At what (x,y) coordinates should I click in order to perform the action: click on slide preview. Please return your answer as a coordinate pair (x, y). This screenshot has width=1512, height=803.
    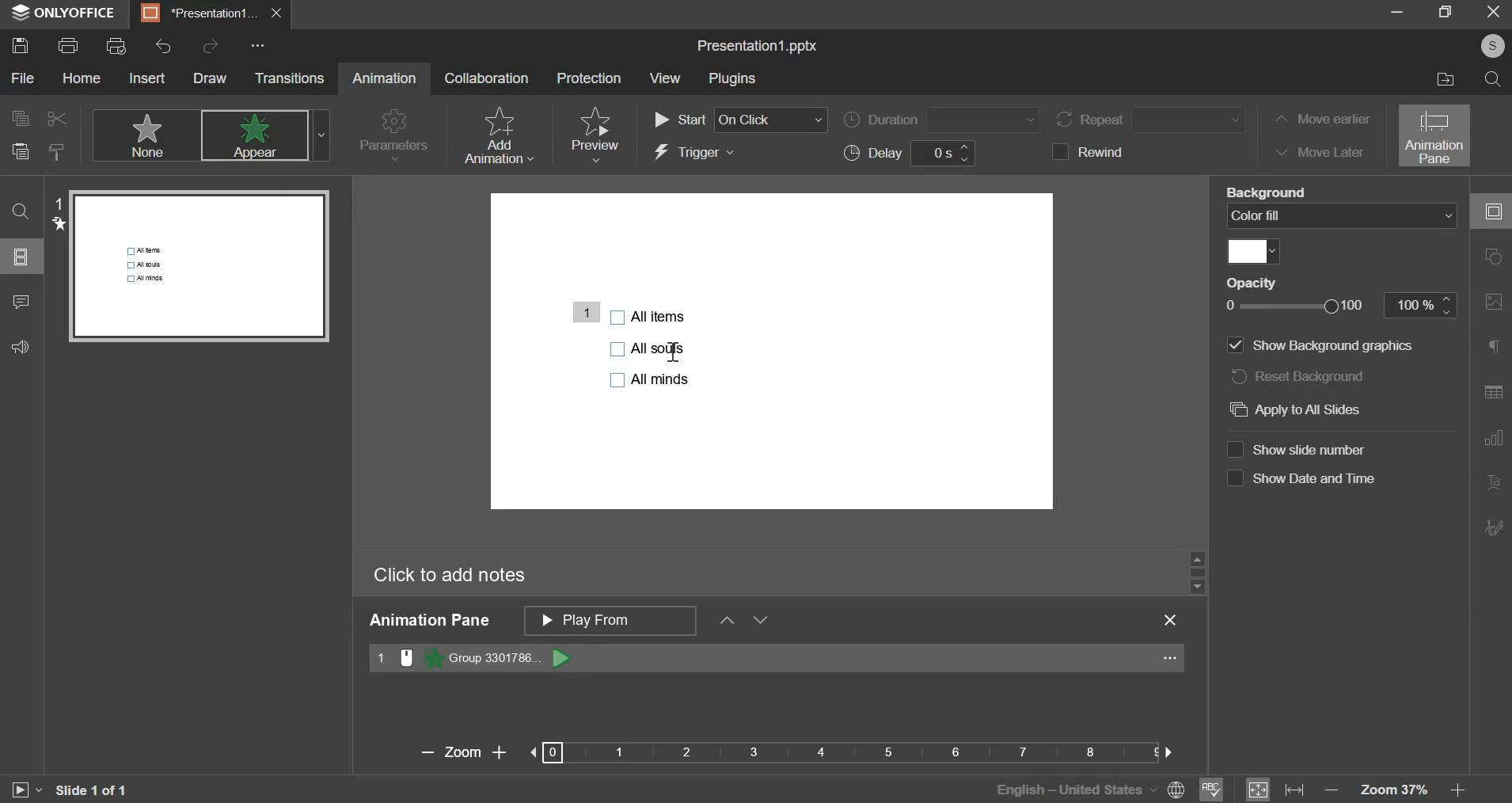
    Looking at the image, I should click on (199, 265).